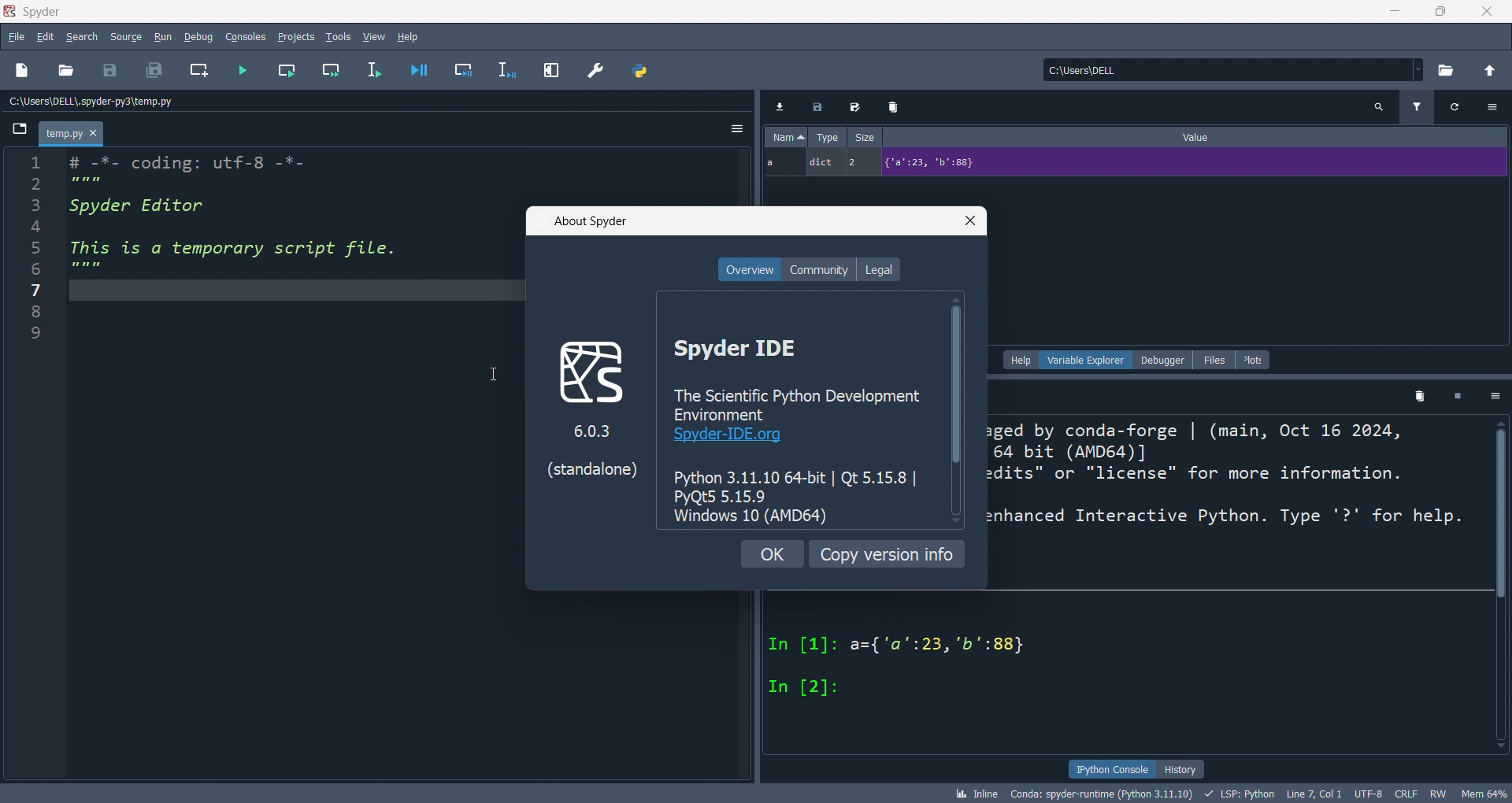 The image size is (1512, 803). Describe the element at coordinates (45, 37) in the screenshot. I see `edit` at that location.